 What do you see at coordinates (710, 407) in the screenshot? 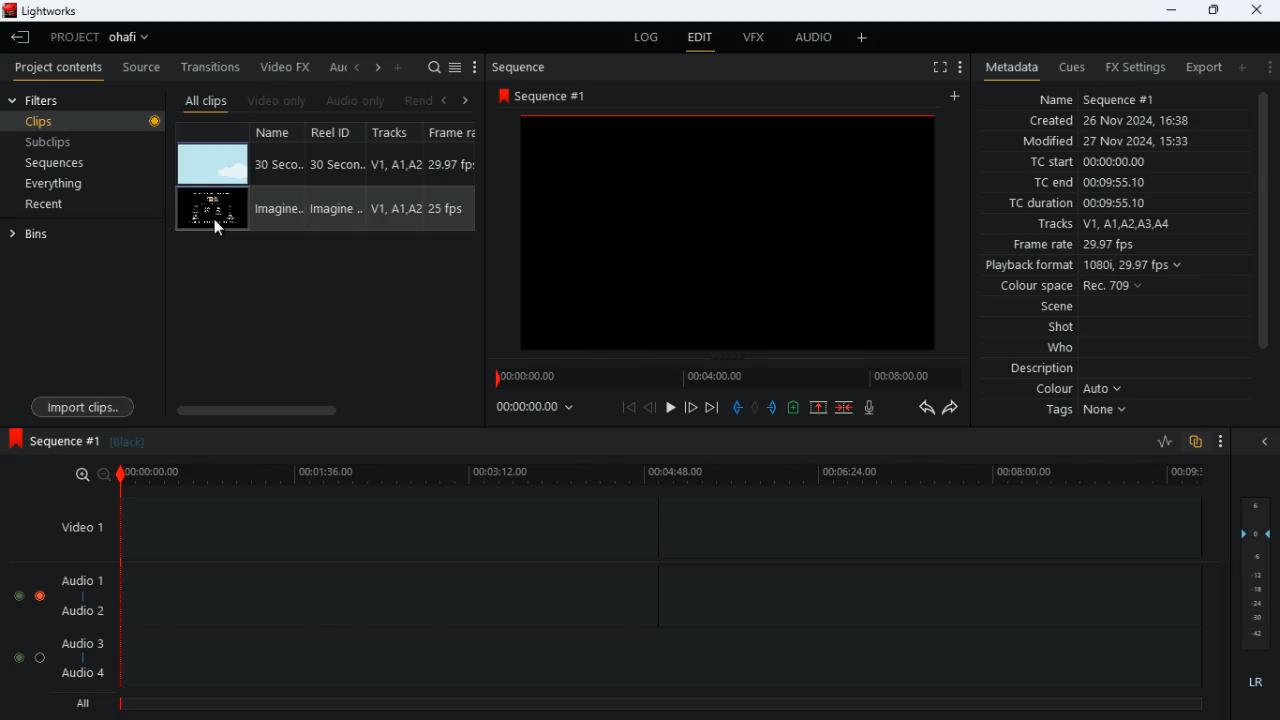
I see `end` at bounding box center [710, 407].